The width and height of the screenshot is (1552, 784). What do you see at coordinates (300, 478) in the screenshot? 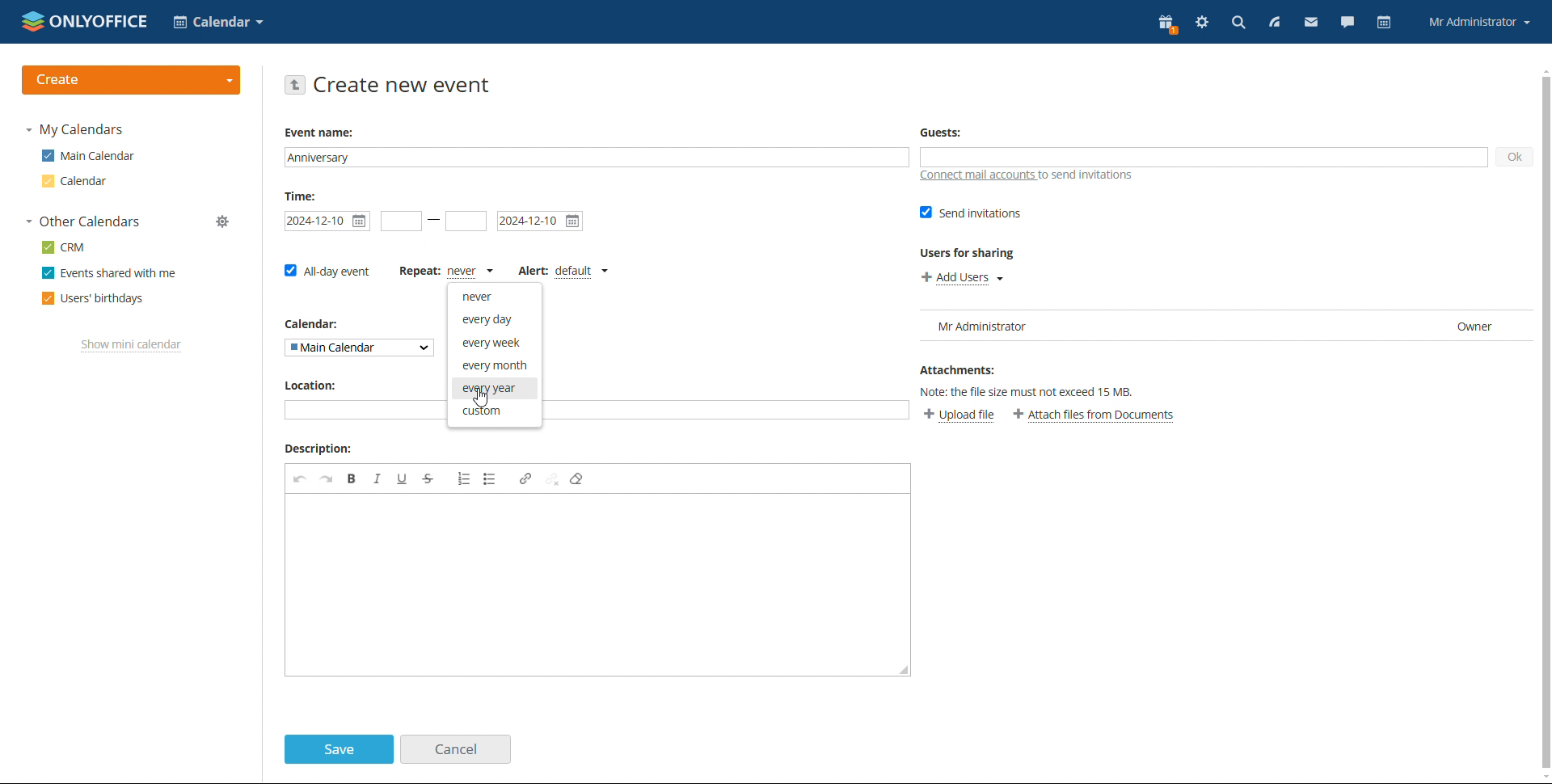
I see `undo` at bounding box center [300, 478].